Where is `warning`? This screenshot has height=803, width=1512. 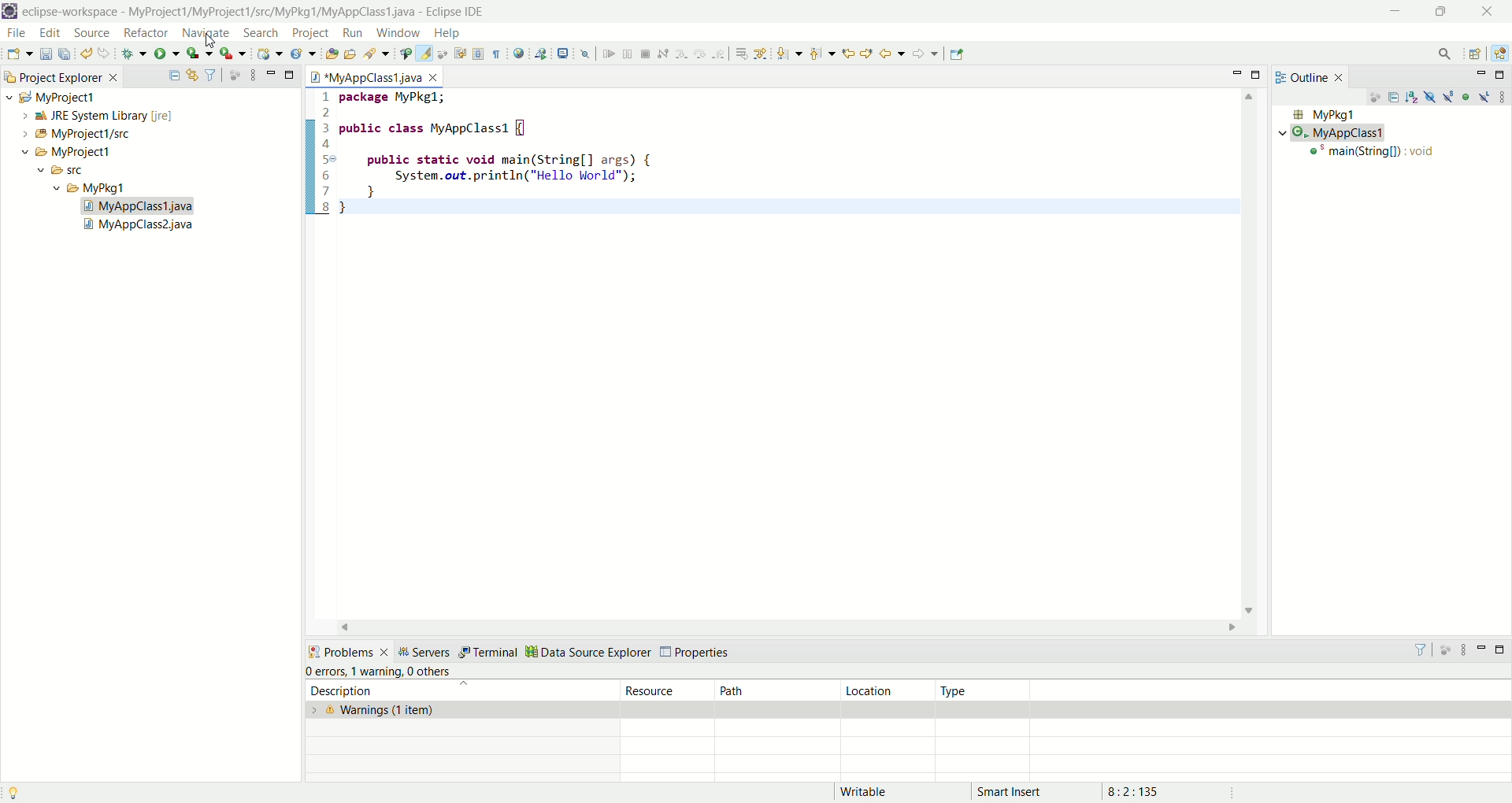 warning is located at coordinates (376, 670).